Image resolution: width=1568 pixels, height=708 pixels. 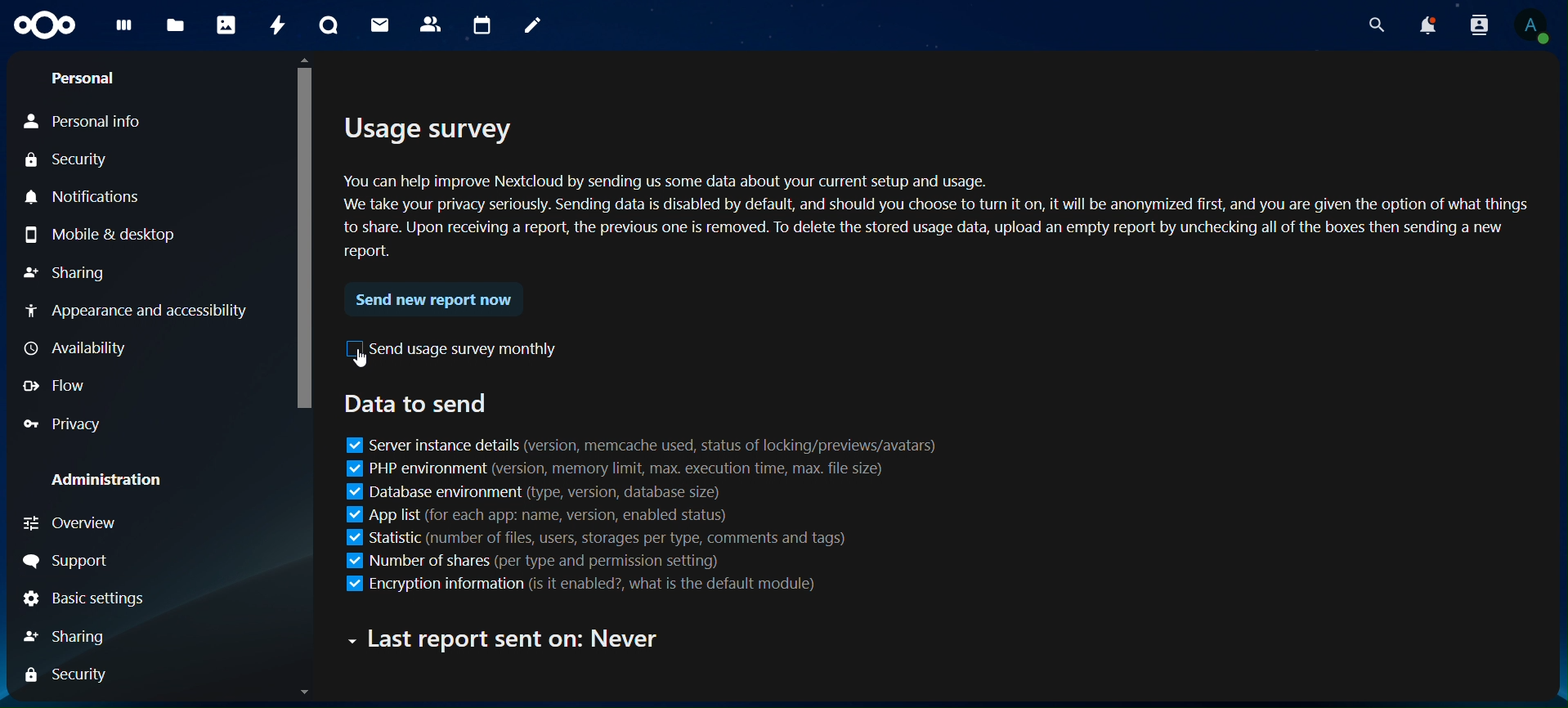 I want to click on statistic, so click(x=567, y=536).